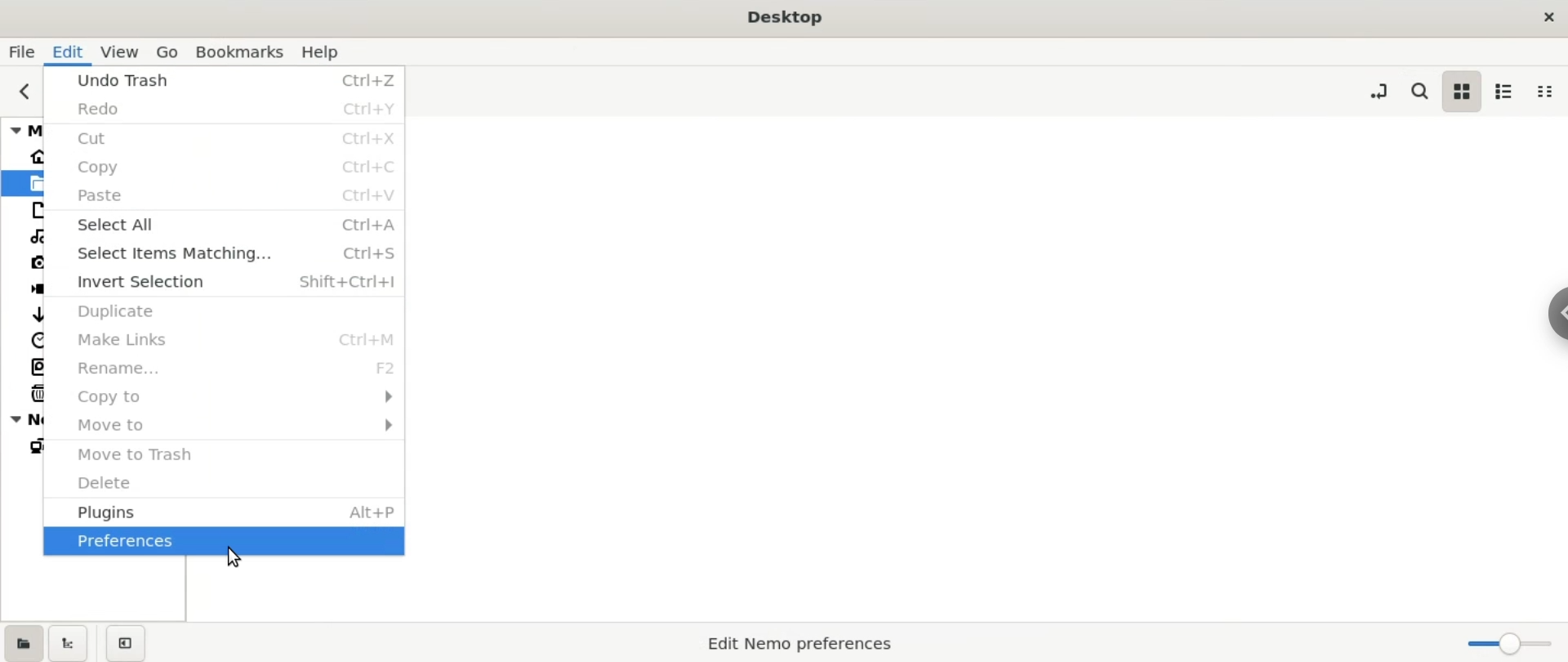 The width and height of the screenshot is (1568, 662). I want to click on compact view, so click(1546, 92).